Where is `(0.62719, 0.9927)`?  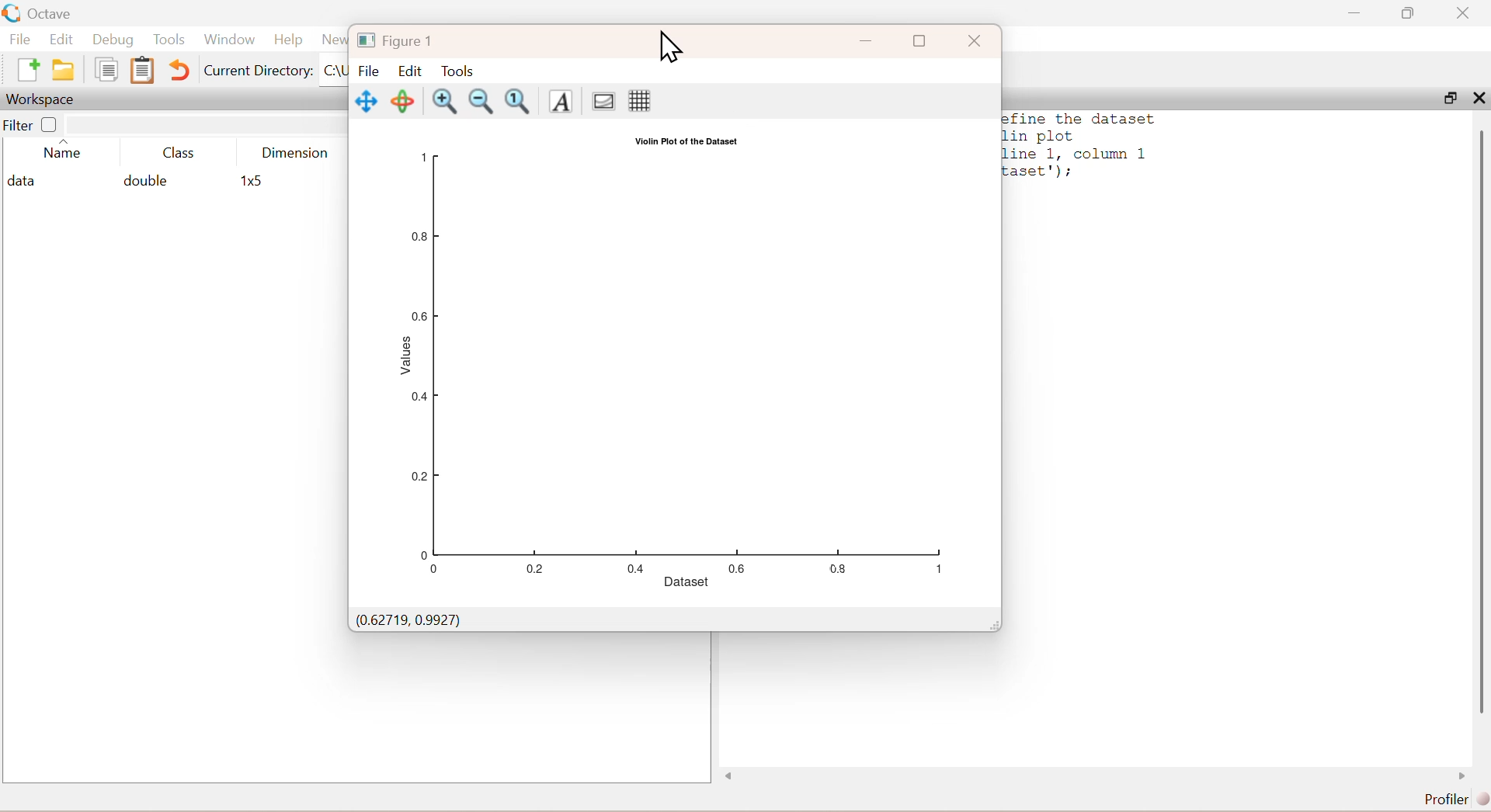 (0.62719, 0.9927) is located at coordinates (408, 619).